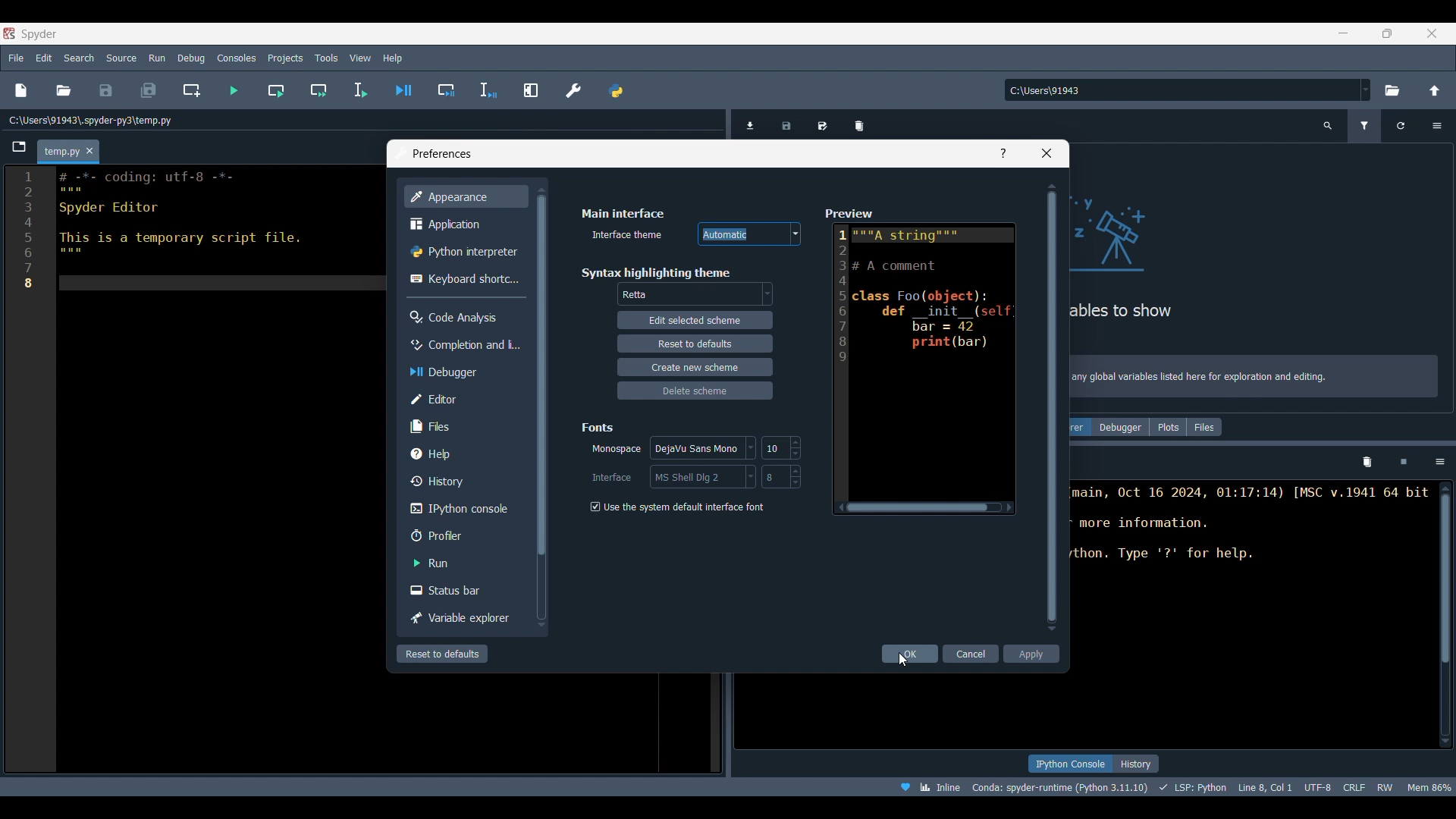 The image size is (1456, 819). What do you see at coordinates (148, 90) in the screenshot?
I see `Save all files` at bounding box center [148, 90].